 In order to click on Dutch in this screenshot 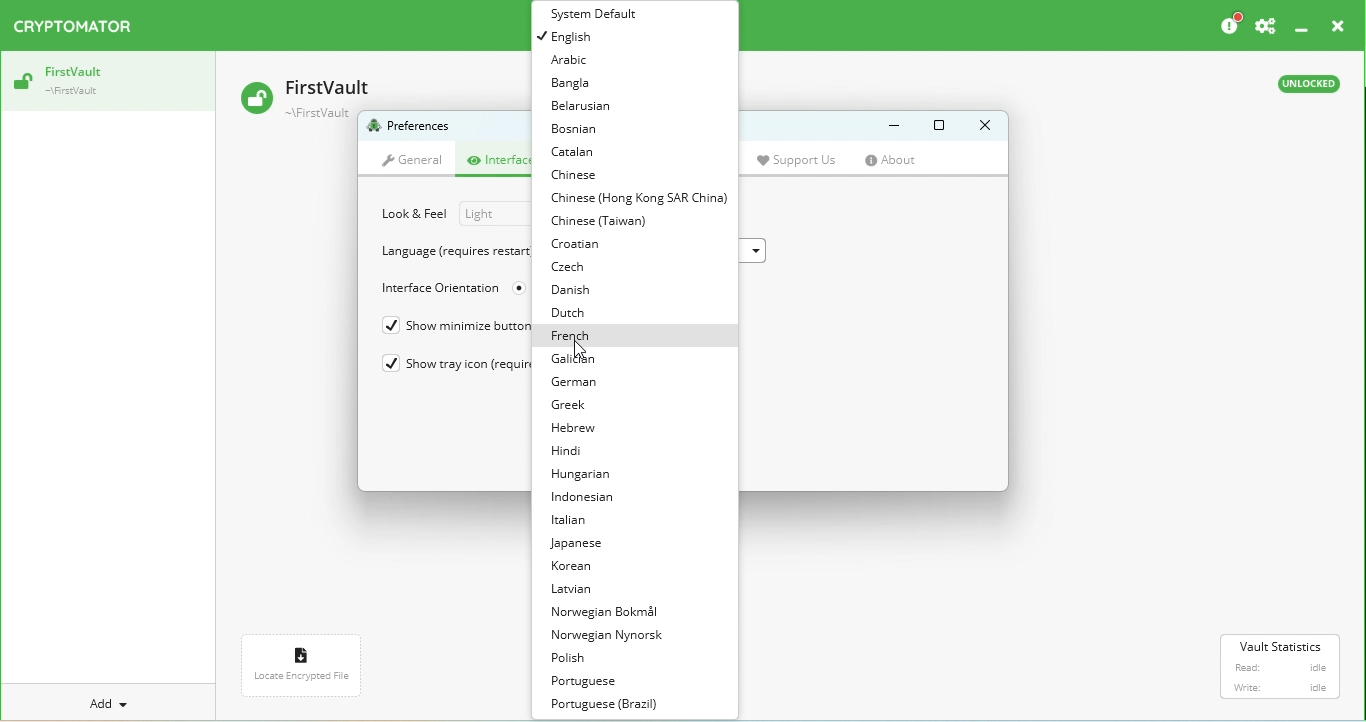, I will do `click(578, 312)`.